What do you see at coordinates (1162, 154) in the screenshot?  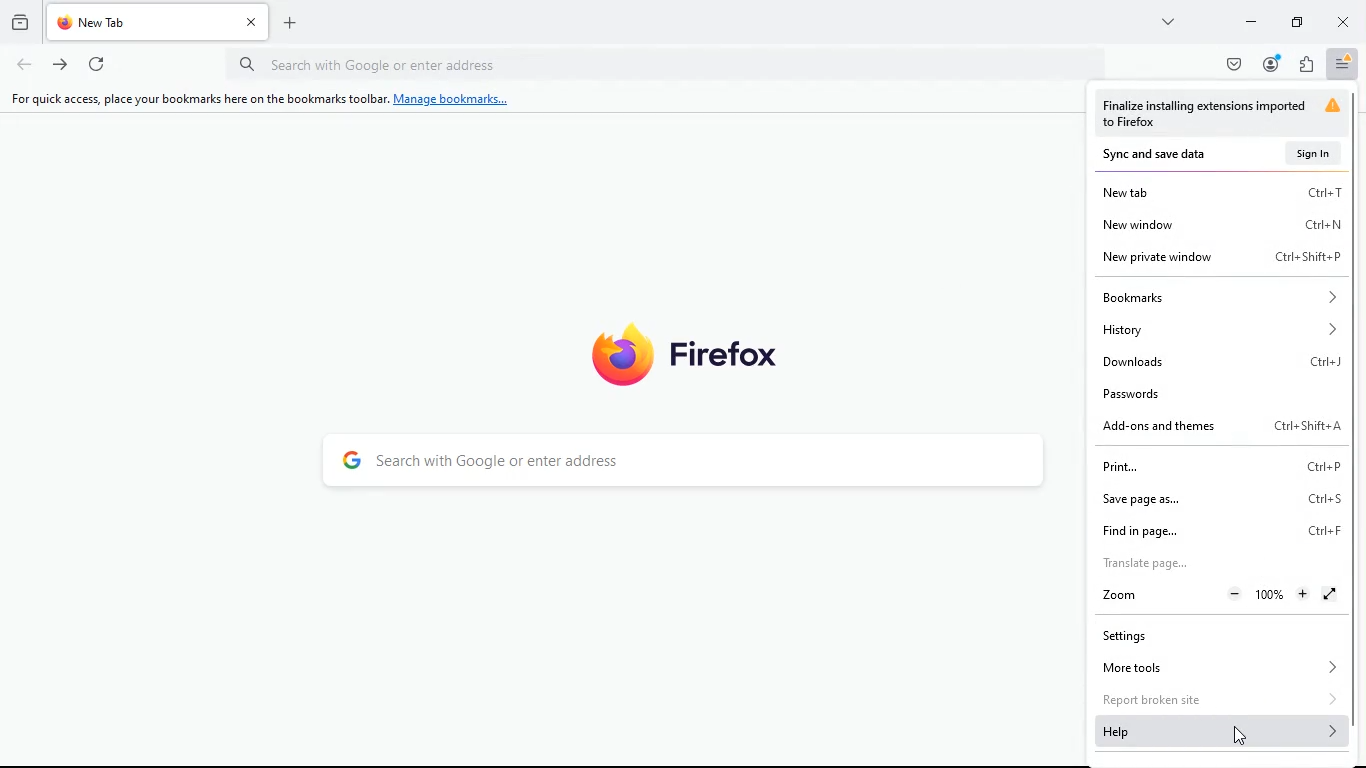 I see `sync and save data` at bounding box center [1162, 154].